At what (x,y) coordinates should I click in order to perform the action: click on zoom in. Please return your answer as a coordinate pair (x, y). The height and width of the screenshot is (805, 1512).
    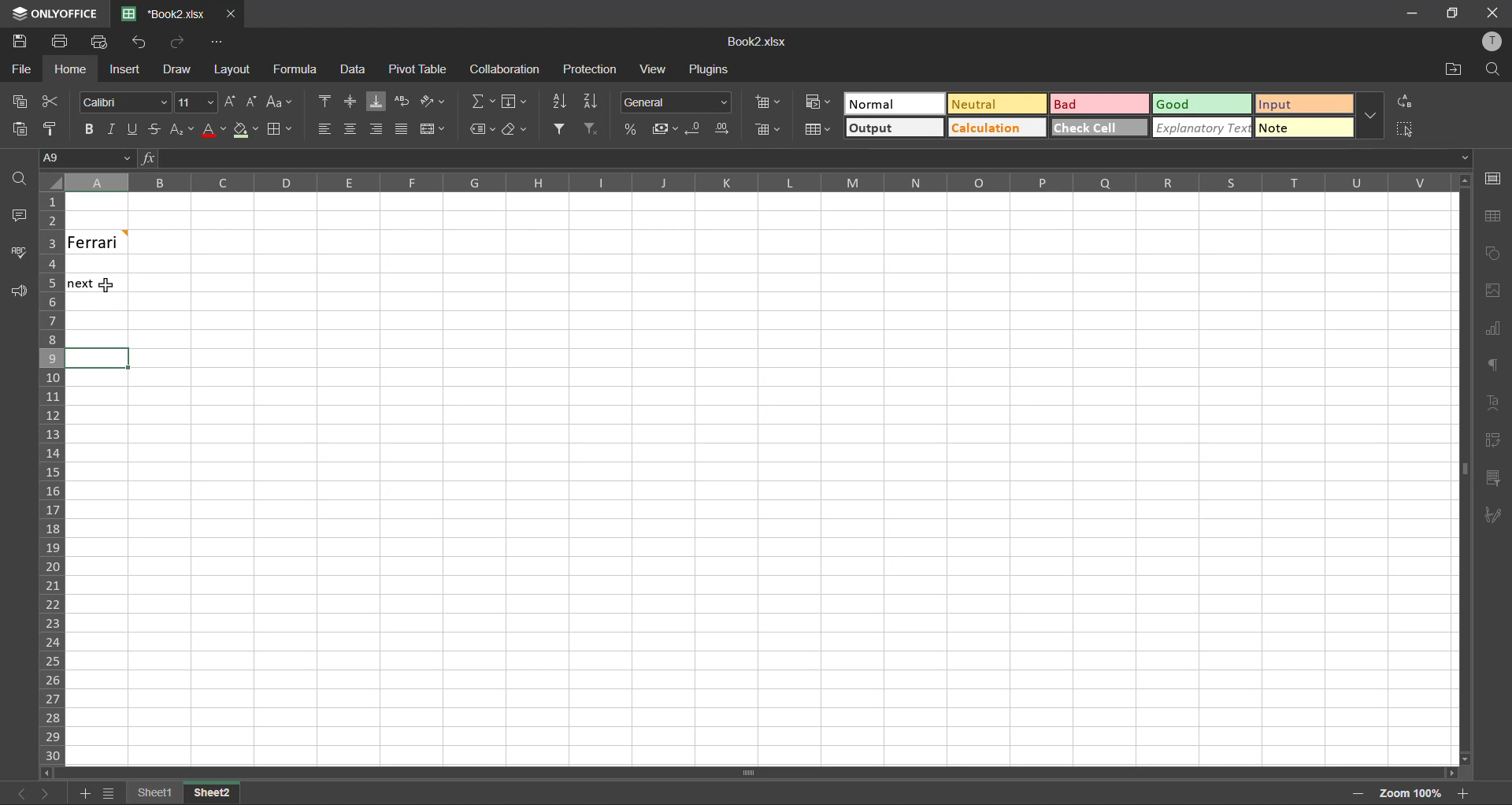
    Looking at the image, I should click on (1462, 792).